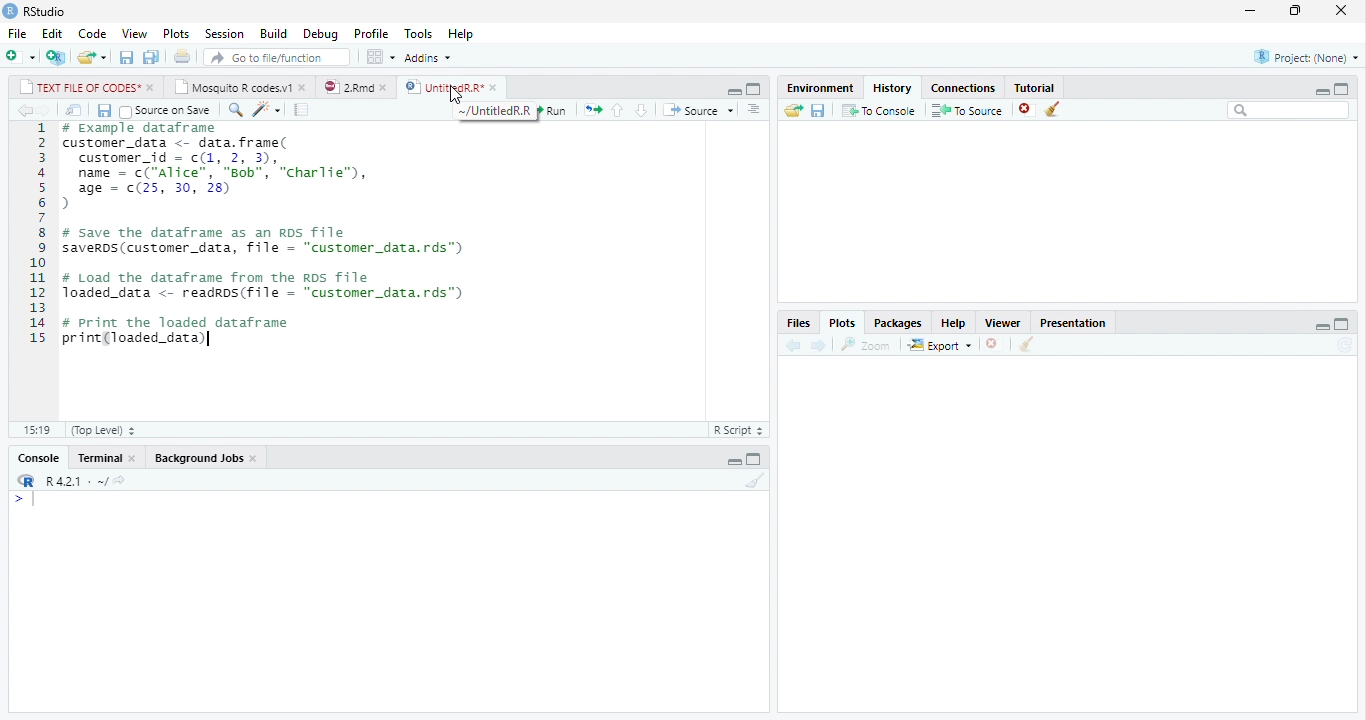 Image resolution: width=1366 pixels, height=720 pixels. What do you see at coordinates (1321, 91) in the screenshot?
I see `minimize` at bounding box center [1321, 91].